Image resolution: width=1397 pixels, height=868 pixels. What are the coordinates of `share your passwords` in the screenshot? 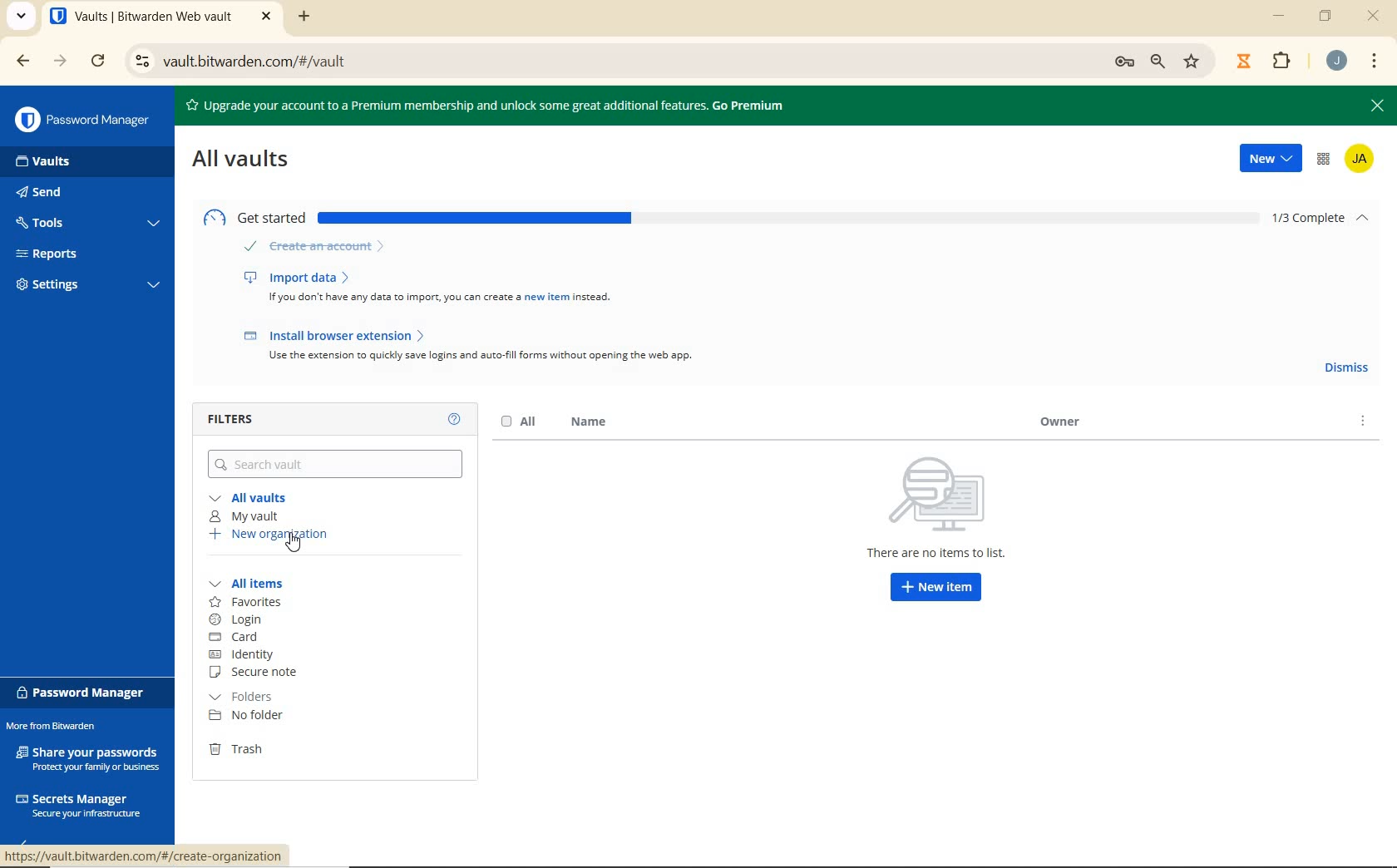 It's located at (90, 757).